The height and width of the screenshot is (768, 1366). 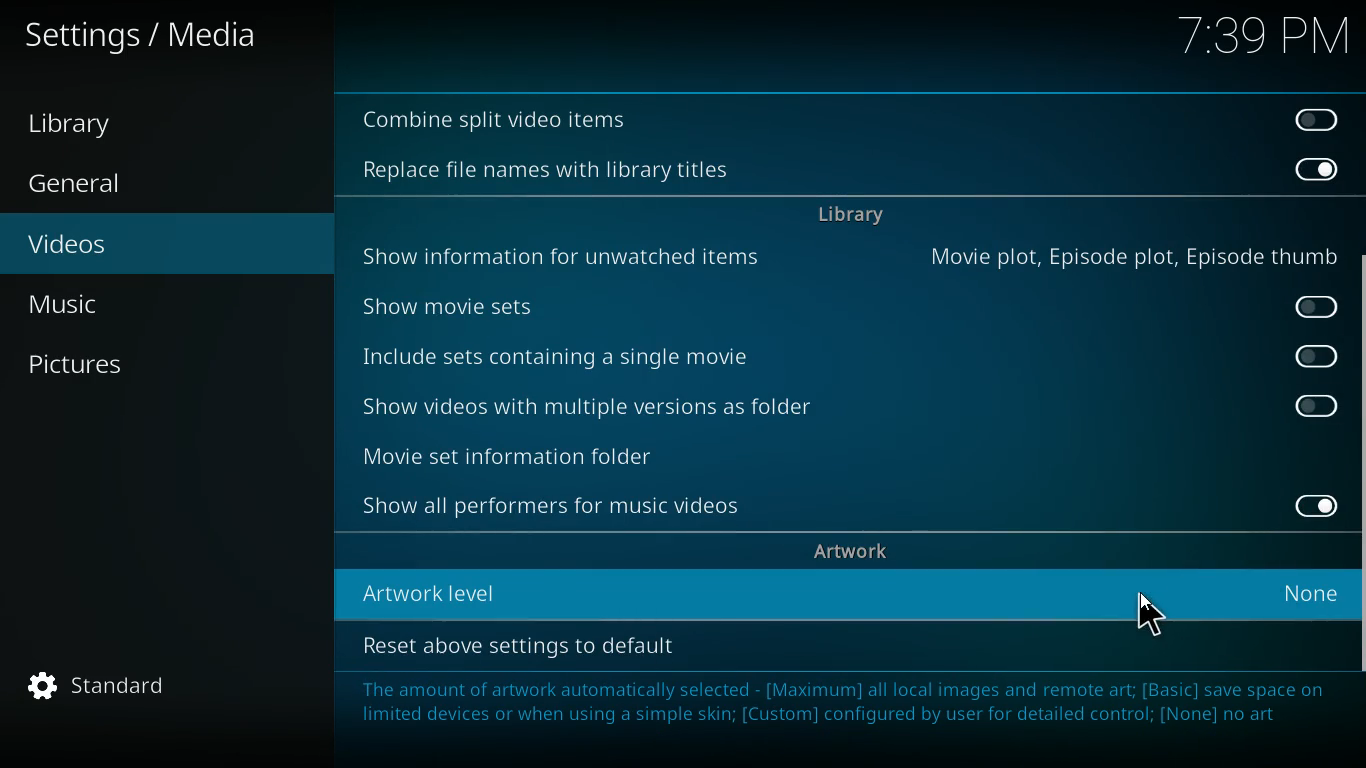 I want to click on music, so click(x=161, y=304).